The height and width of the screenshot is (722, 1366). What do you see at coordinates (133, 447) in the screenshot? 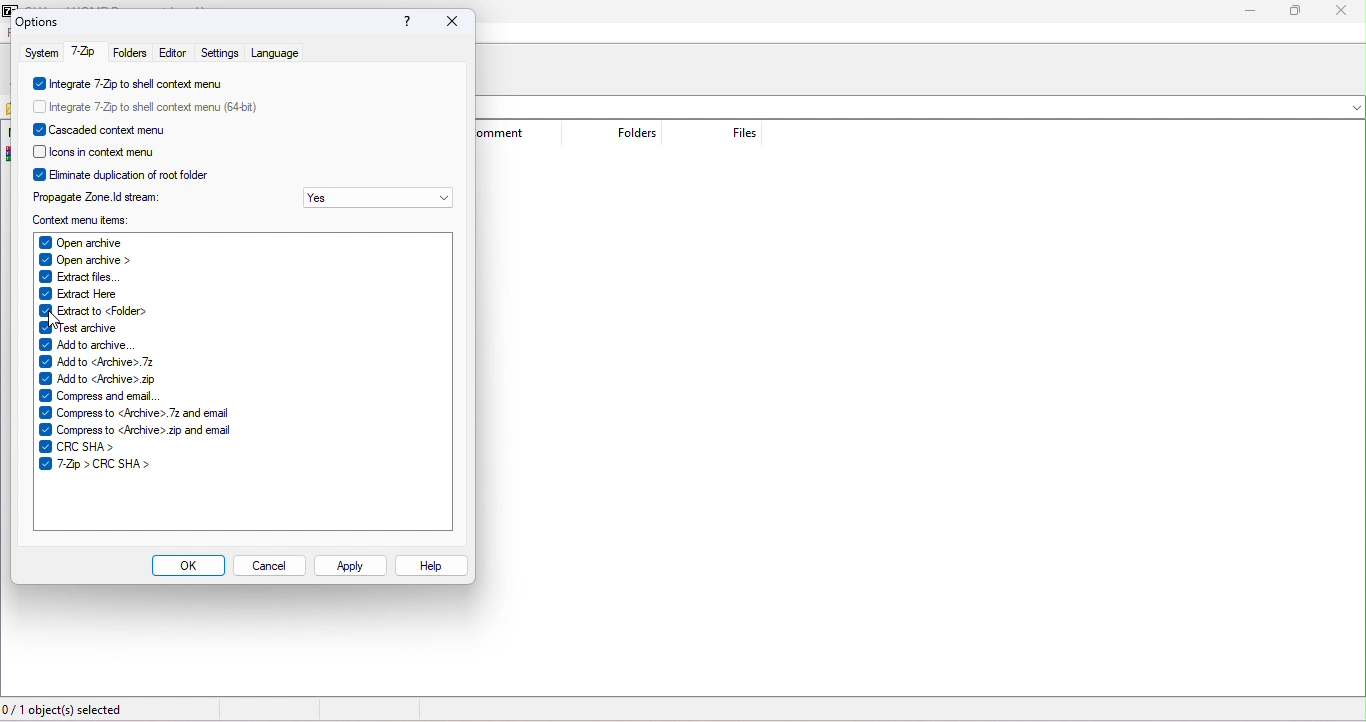
I see `crc sha>` at bounding box center [133, 447].